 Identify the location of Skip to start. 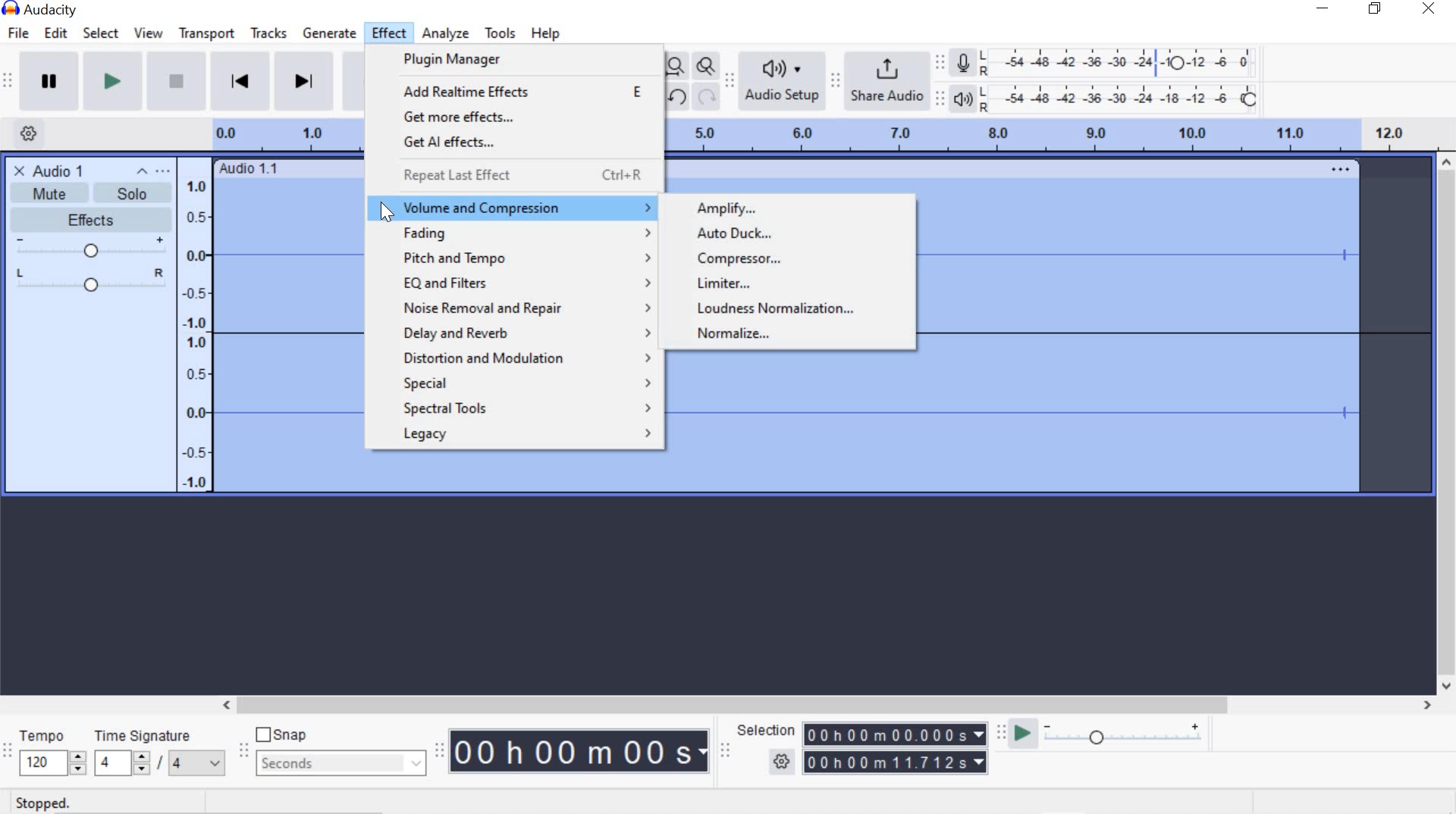
(241, 81).